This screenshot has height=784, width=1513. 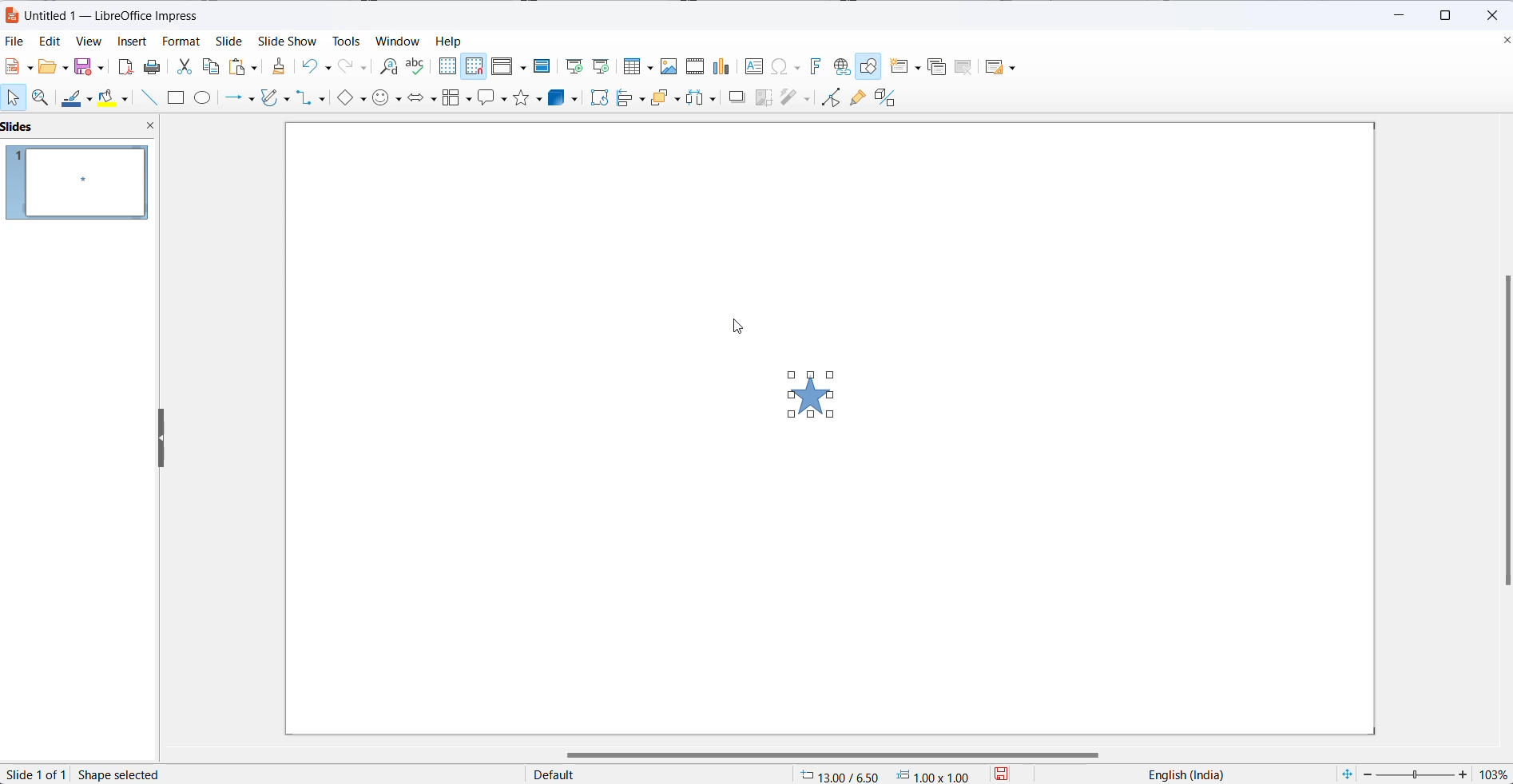 I want to click on insert text, so click(x=755, y=69).